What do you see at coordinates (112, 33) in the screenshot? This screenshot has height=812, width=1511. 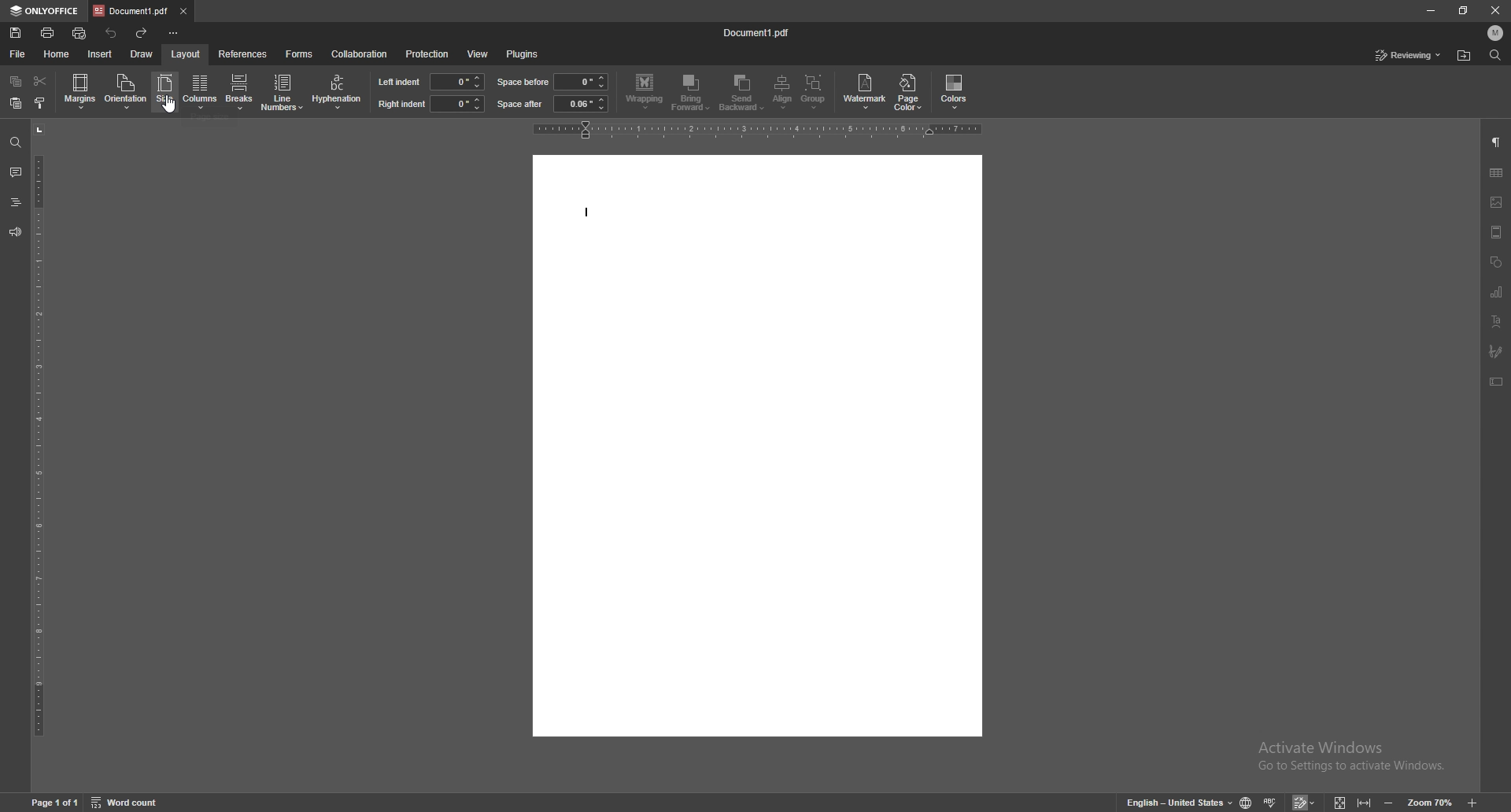 I see `undo` at bounding box center [112, 33].